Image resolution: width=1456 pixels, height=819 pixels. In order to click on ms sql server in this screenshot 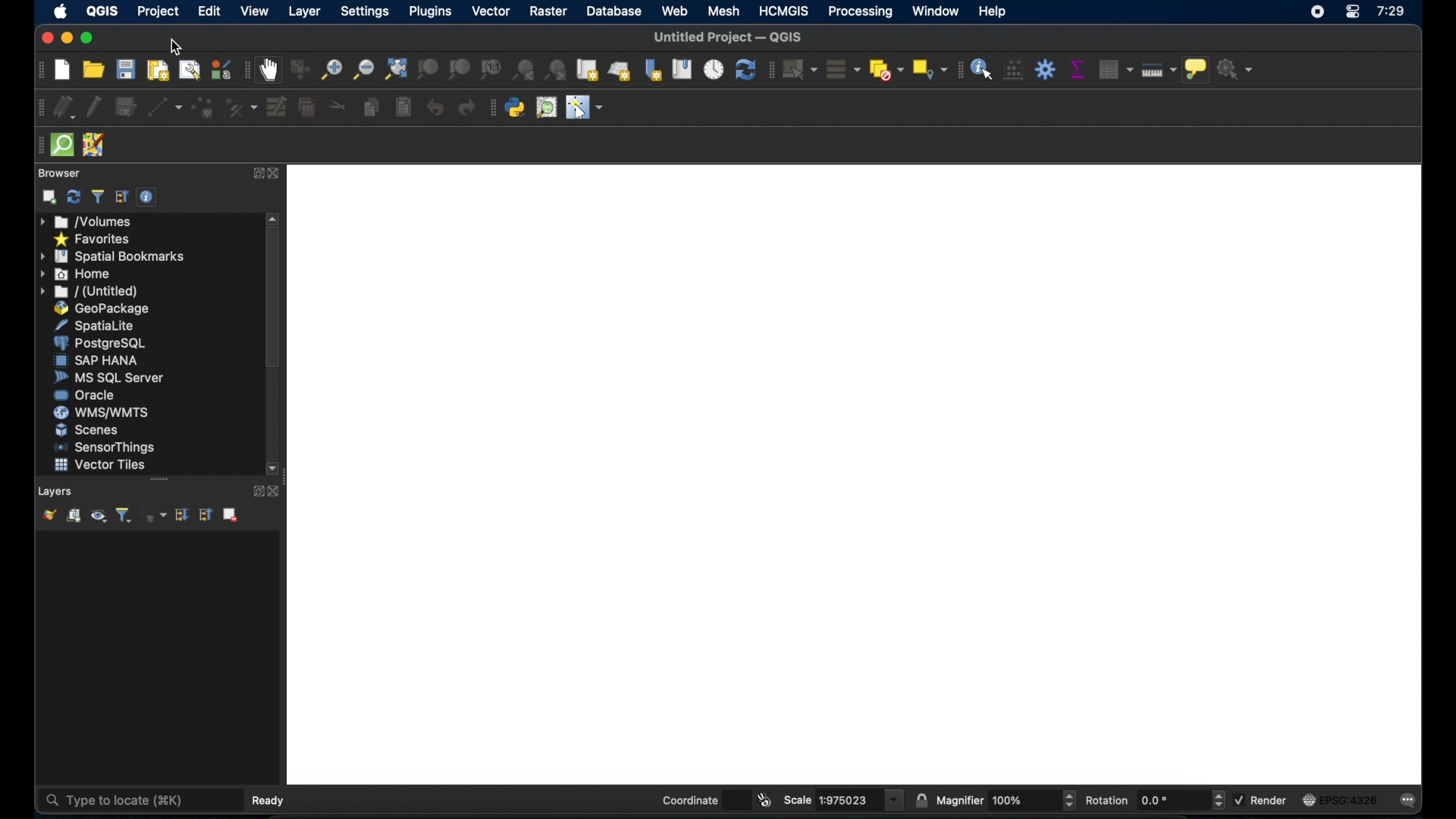, I will do `click(112, 378)`.